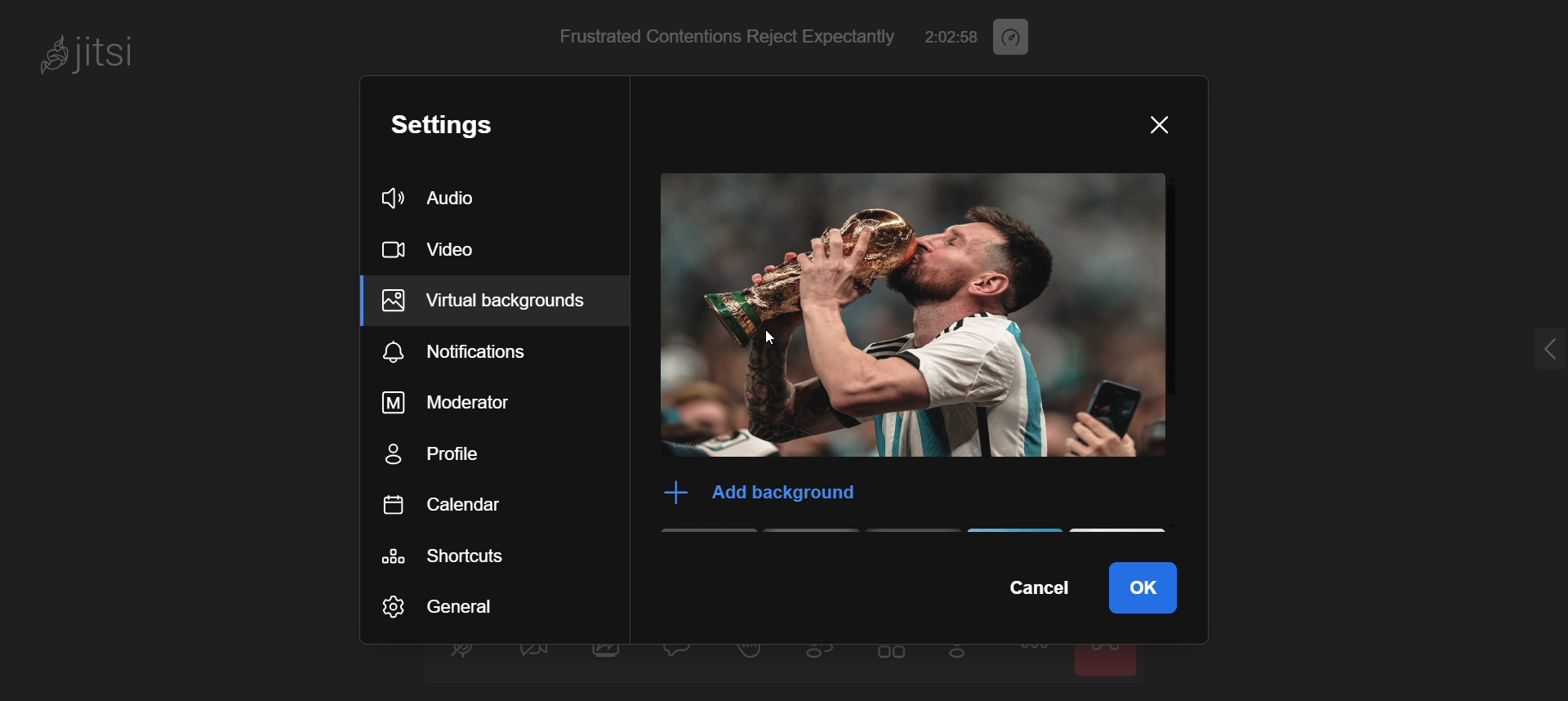 The image size is (1568, 701). I want to click on Frustrated Contentions Rejects Expectantly, so click(723, 34).